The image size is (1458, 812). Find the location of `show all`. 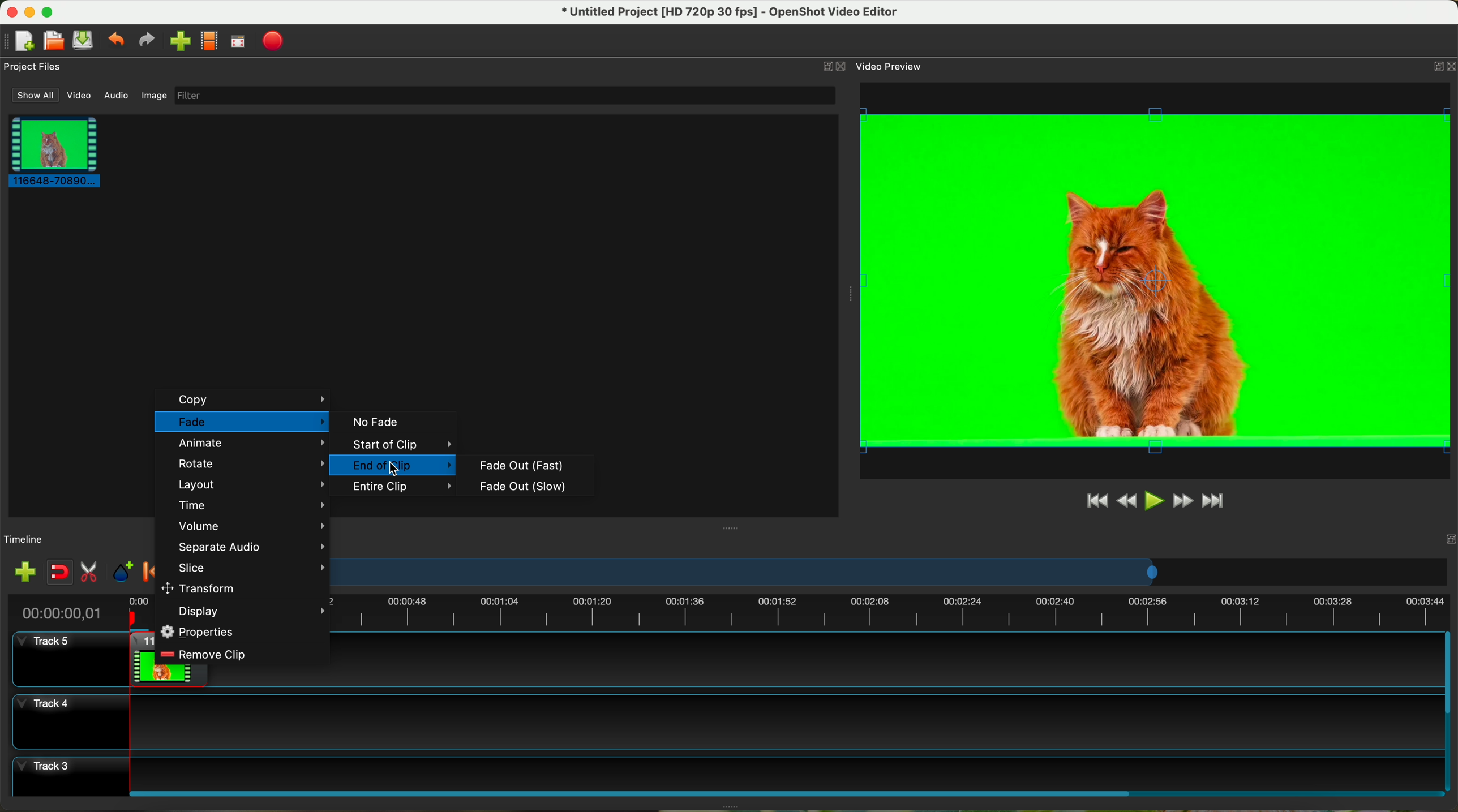

show all is located at coordinates (33, 95).